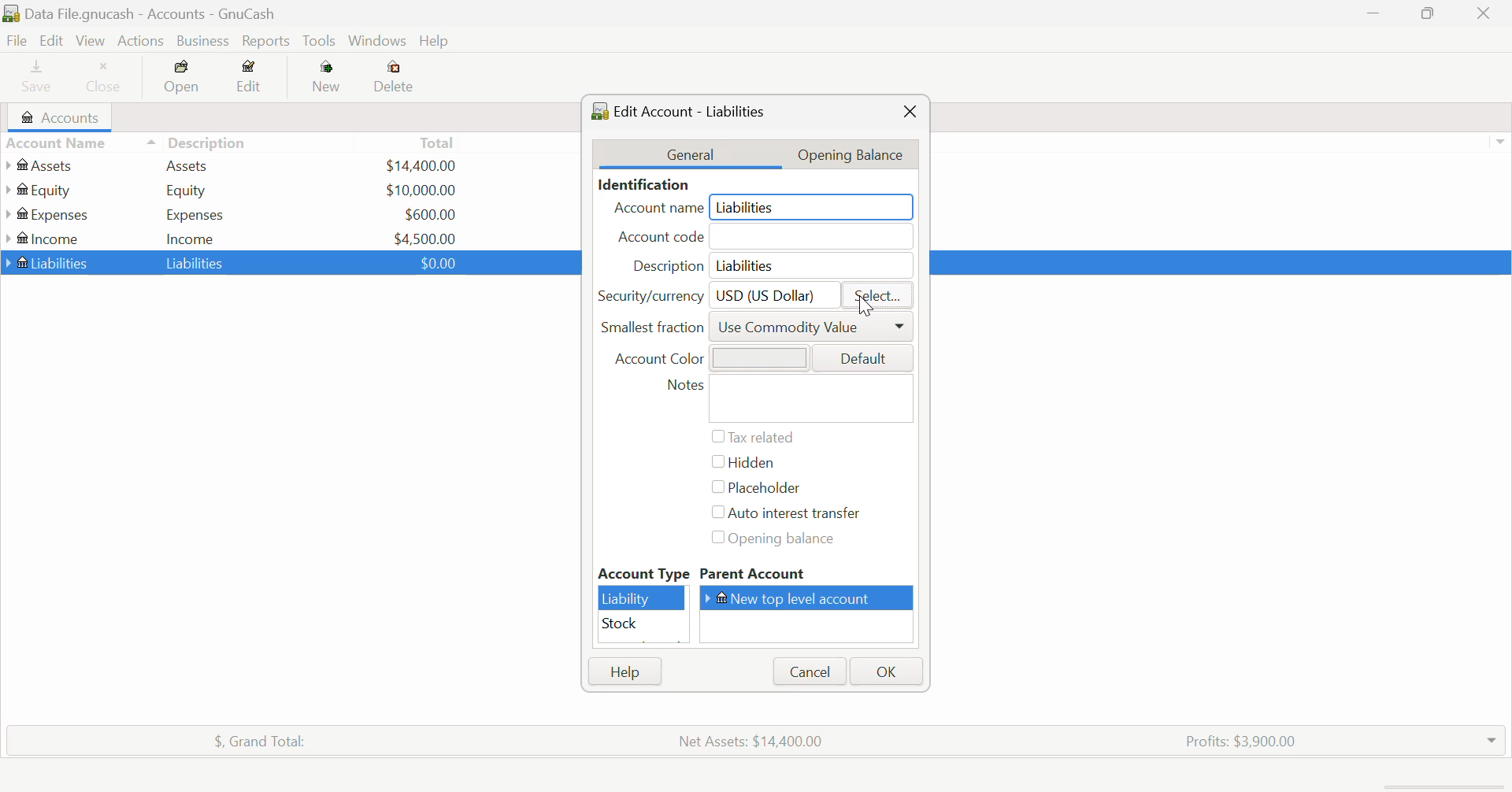 This screenshot has height=792, width=1512. What do you see at coordinates (420, 164) in the screenshot?
I see `USd` at bounding box center [420, 164].